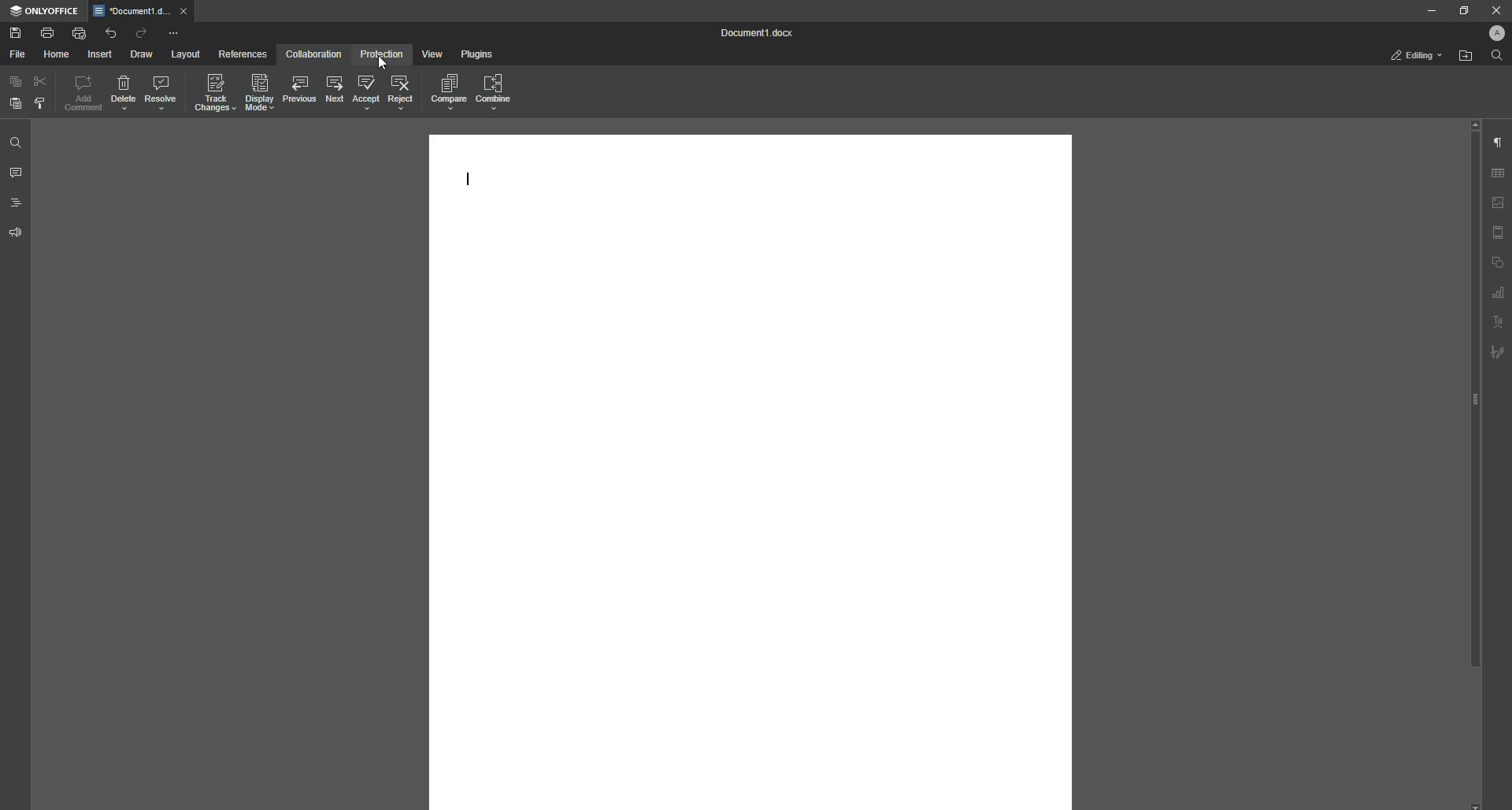 This screenshot has width=1512, height=810. Describe the element at coordinates (131, 11) in the screenshot. I see `Document1.docx` at that location.